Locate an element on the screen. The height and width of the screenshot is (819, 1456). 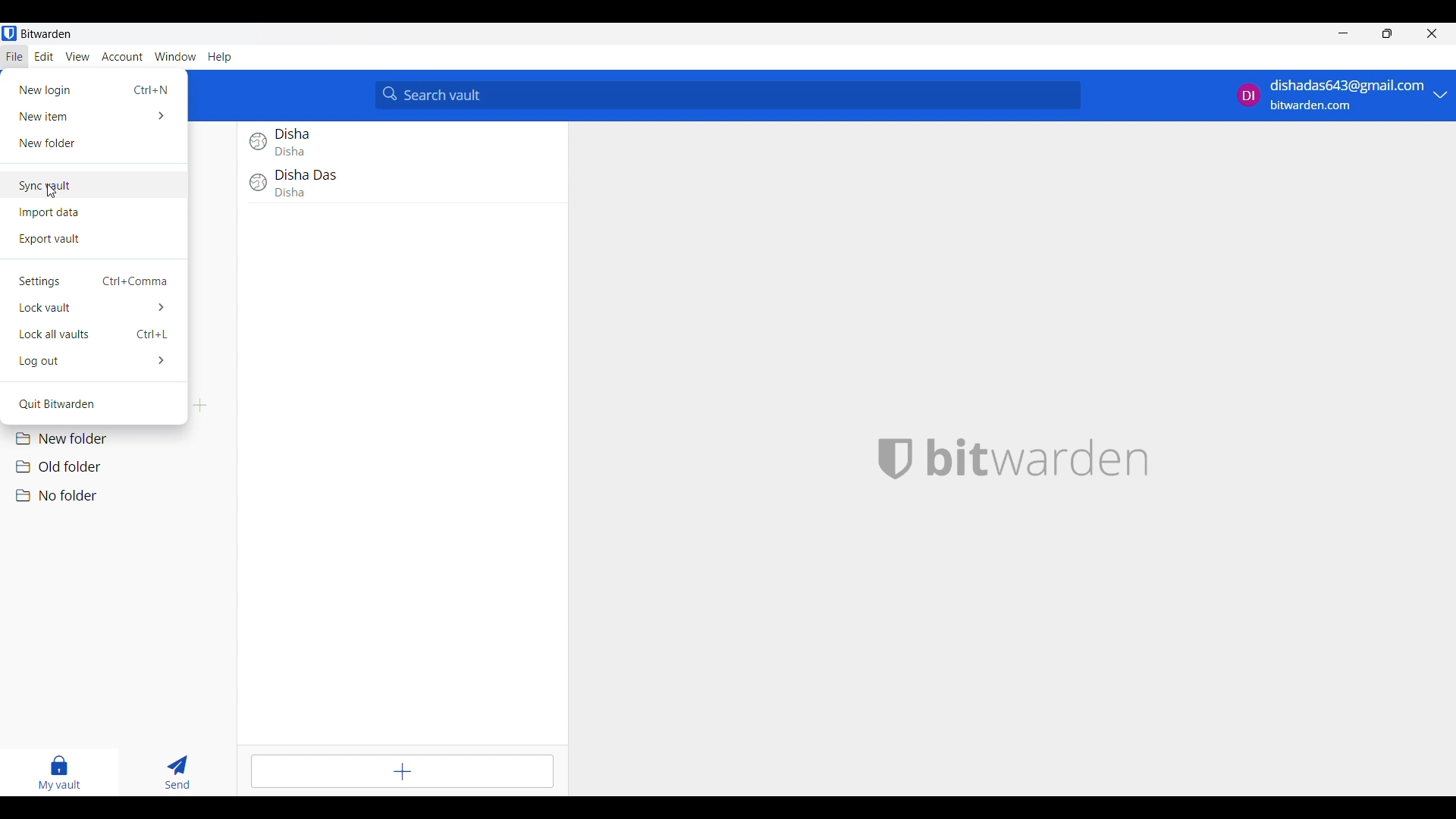
Log out options is located at coordinates (94, 361).